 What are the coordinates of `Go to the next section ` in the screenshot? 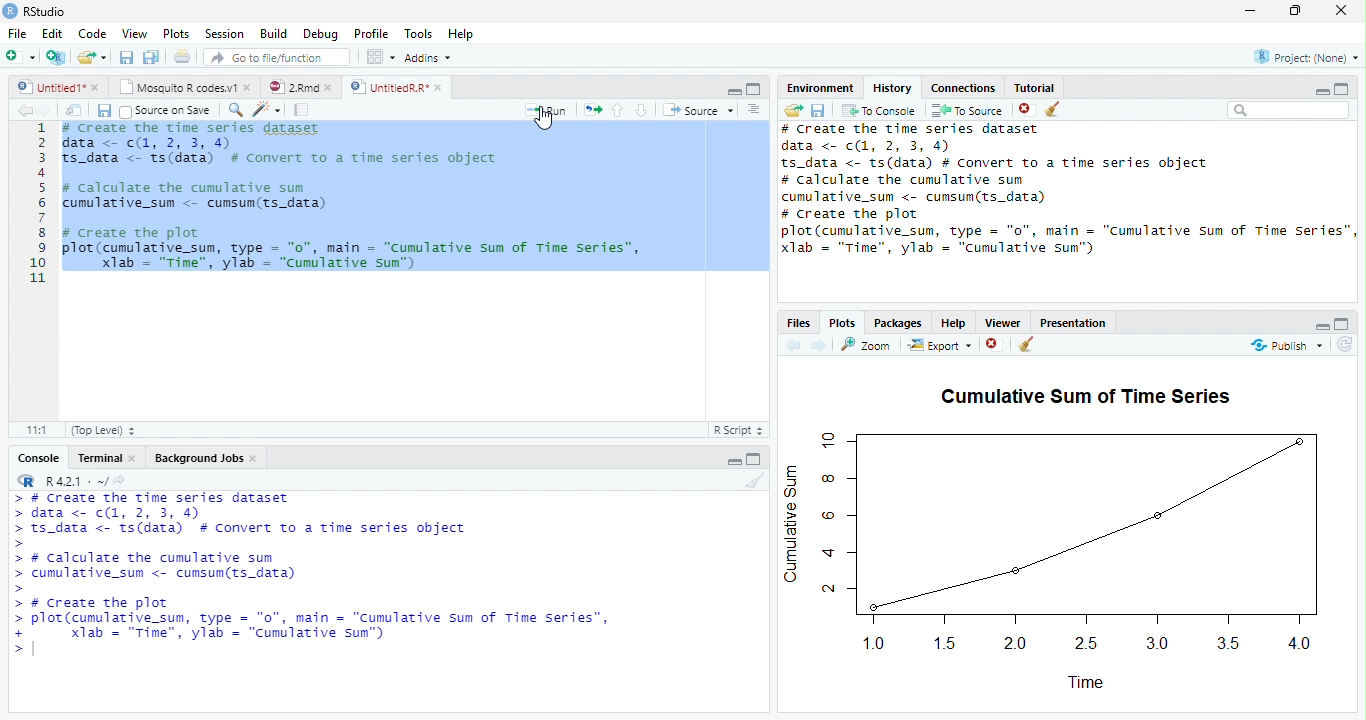 It's located at (642, 112).